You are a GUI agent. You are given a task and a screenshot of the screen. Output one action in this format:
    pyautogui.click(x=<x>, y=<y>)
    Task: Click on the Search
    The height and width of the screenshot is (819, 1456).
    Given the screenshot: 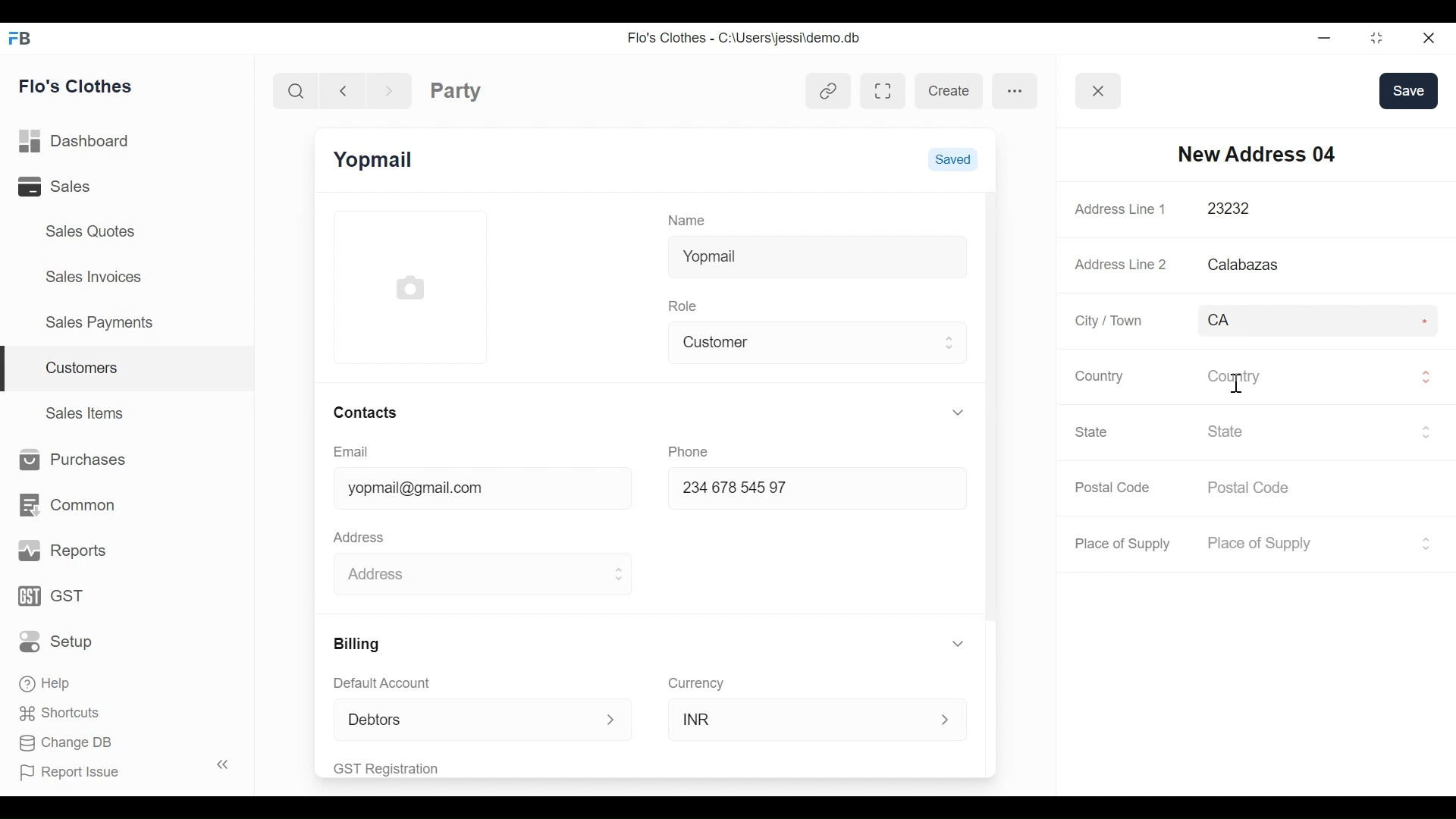 What is the action you would take?
    pyautogui.click(x=299, y=90)
    